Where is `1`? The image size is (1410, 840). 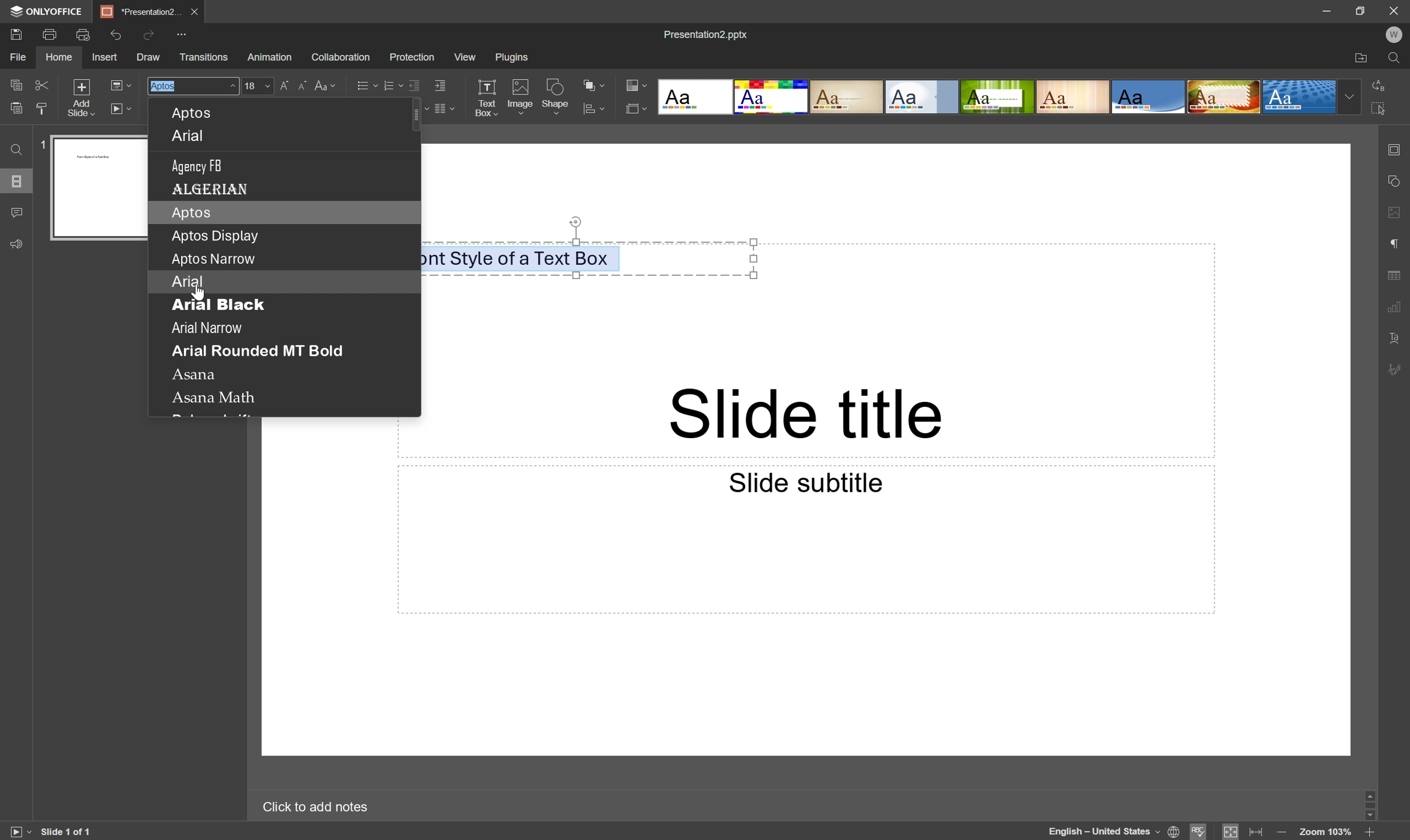 1 is located at coordinates (43, 143).